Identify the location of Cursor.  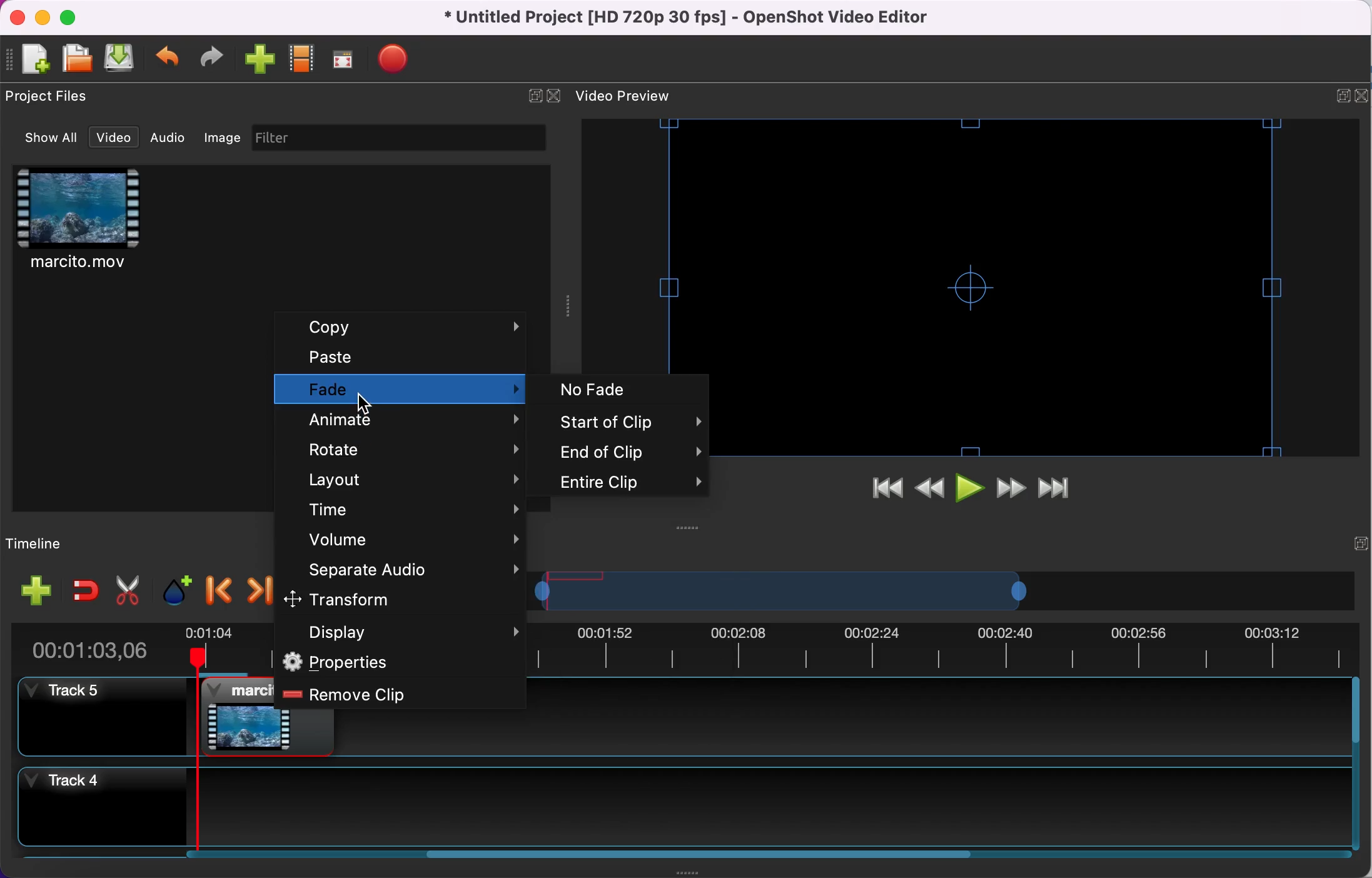
(366, 404).